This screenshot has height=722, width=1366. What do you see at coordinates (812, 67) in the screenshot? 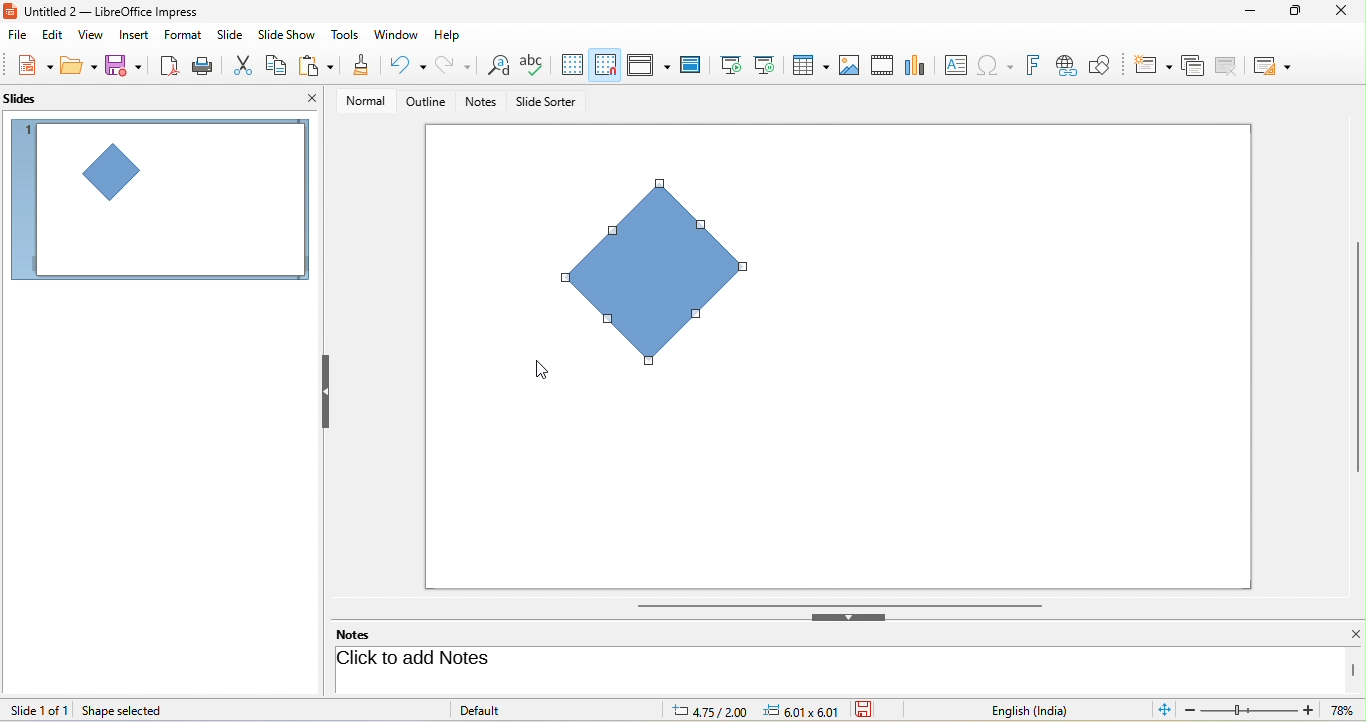
I see `table` at bounding box center [812, 67].